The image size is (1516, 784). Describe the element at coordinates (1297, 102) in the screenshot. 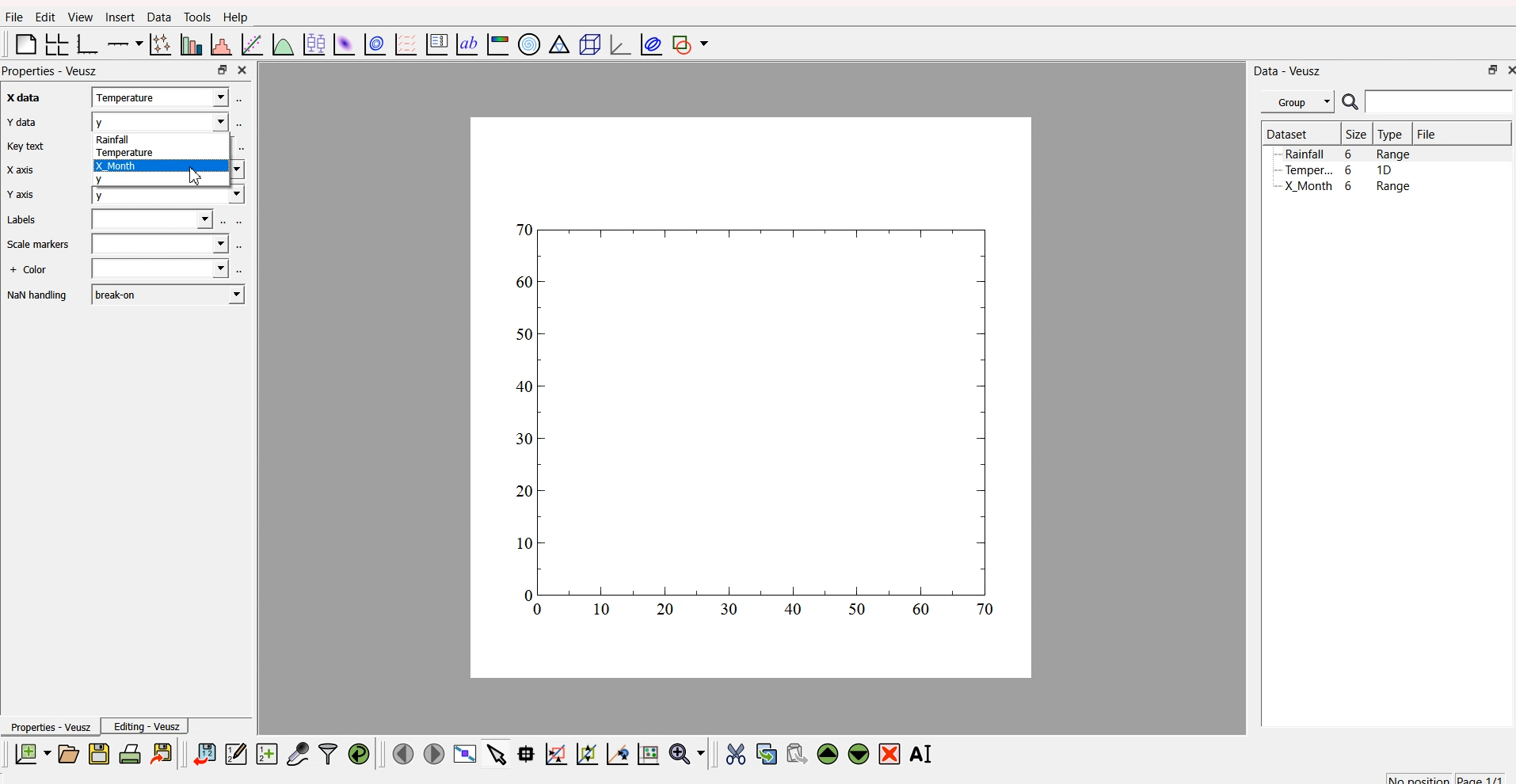

I see `Group` at that location.